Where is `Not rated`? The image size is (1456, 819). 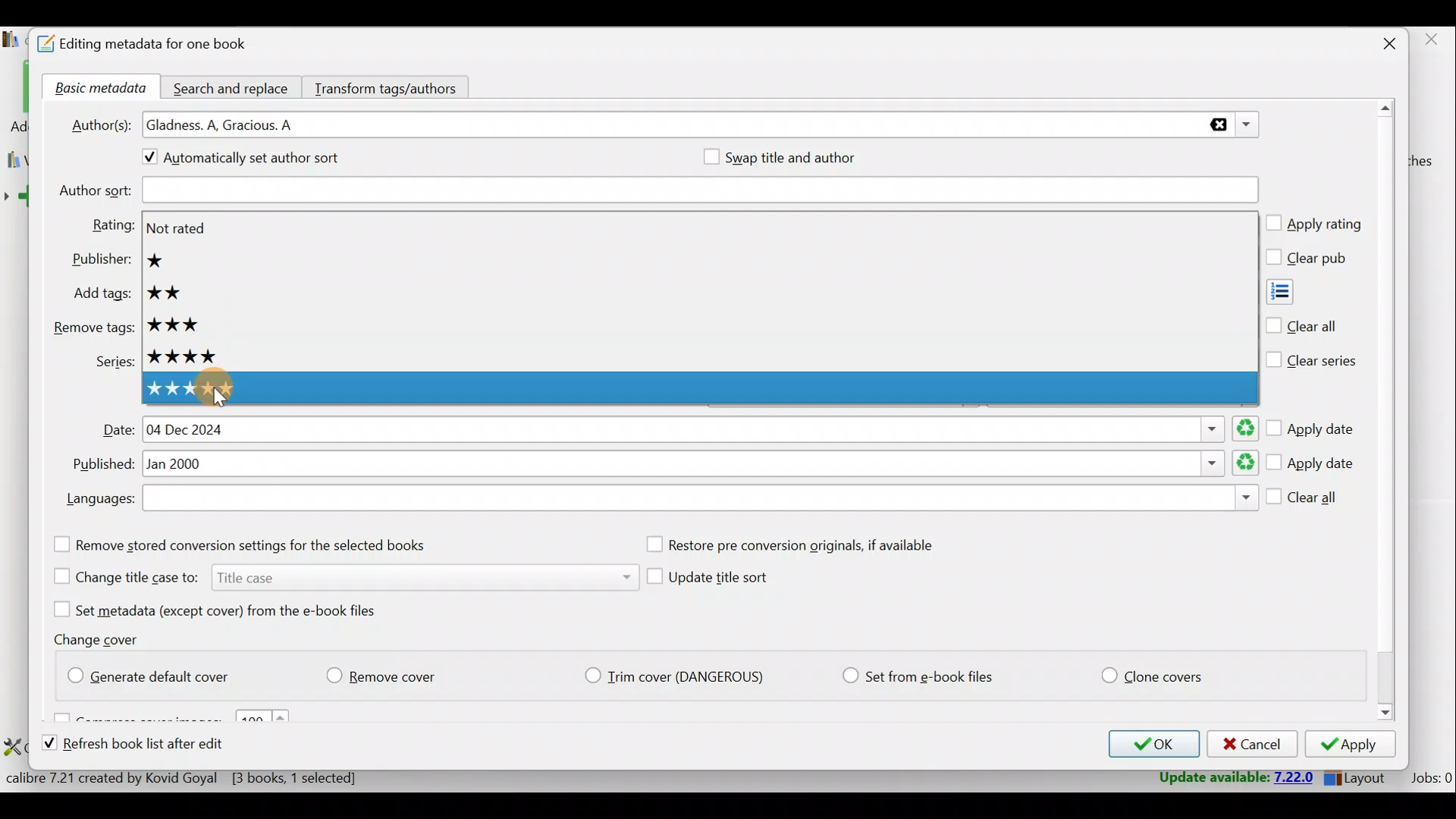 Not rated is located at coordinates (185, 225).